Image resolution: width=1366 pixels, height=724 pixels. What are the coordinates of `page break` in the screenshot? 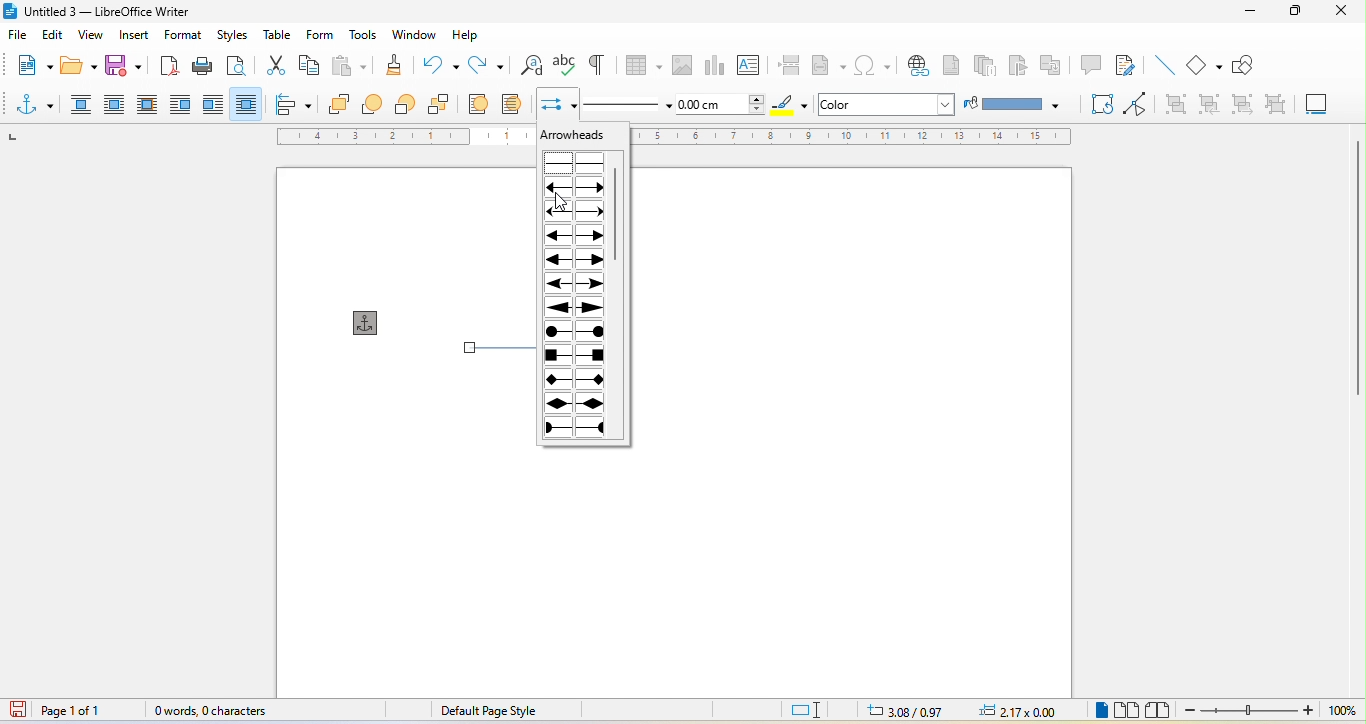 It's located at (788, 65).